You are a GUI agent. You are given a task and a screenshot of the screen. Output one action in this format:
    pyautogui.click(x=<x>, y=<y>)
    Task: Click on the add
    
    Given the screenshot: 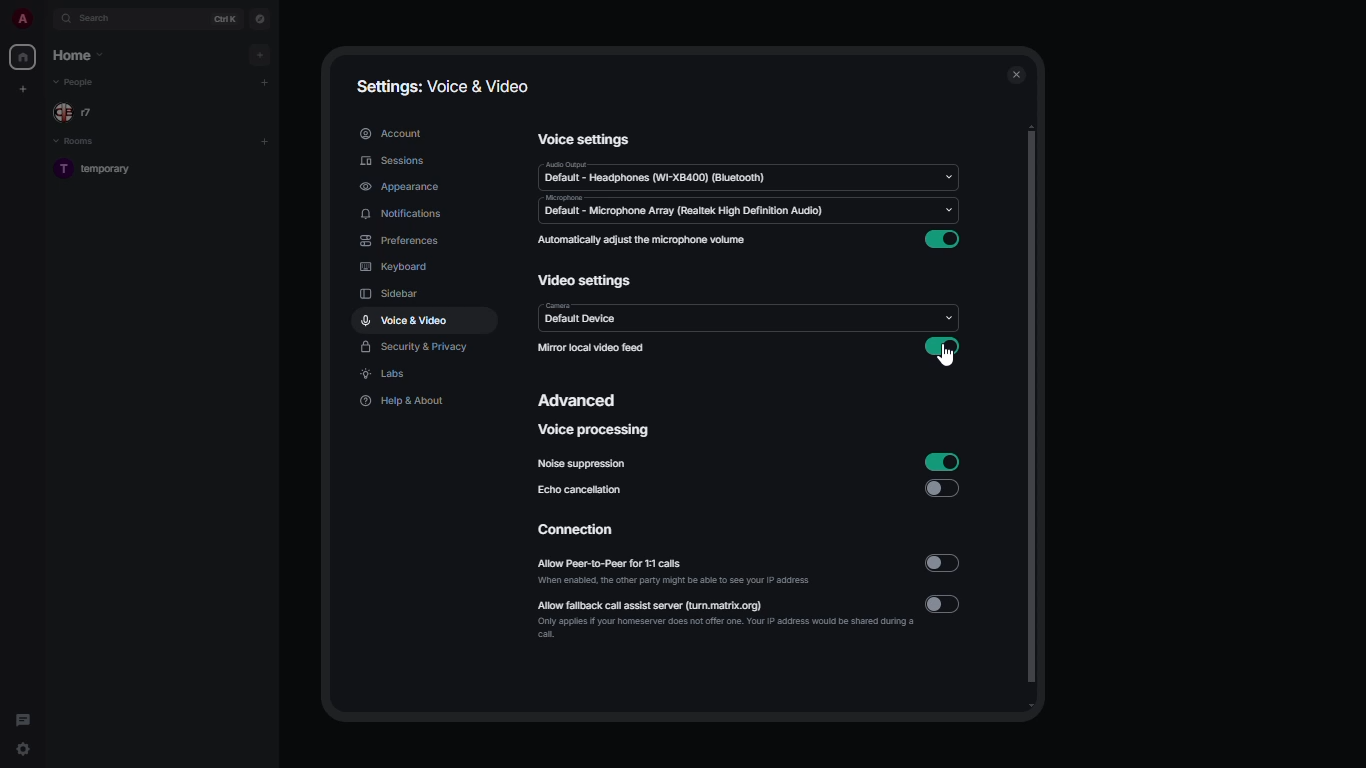 What is the action you would take?
    pyautogui.click(x=258, y=55)
    